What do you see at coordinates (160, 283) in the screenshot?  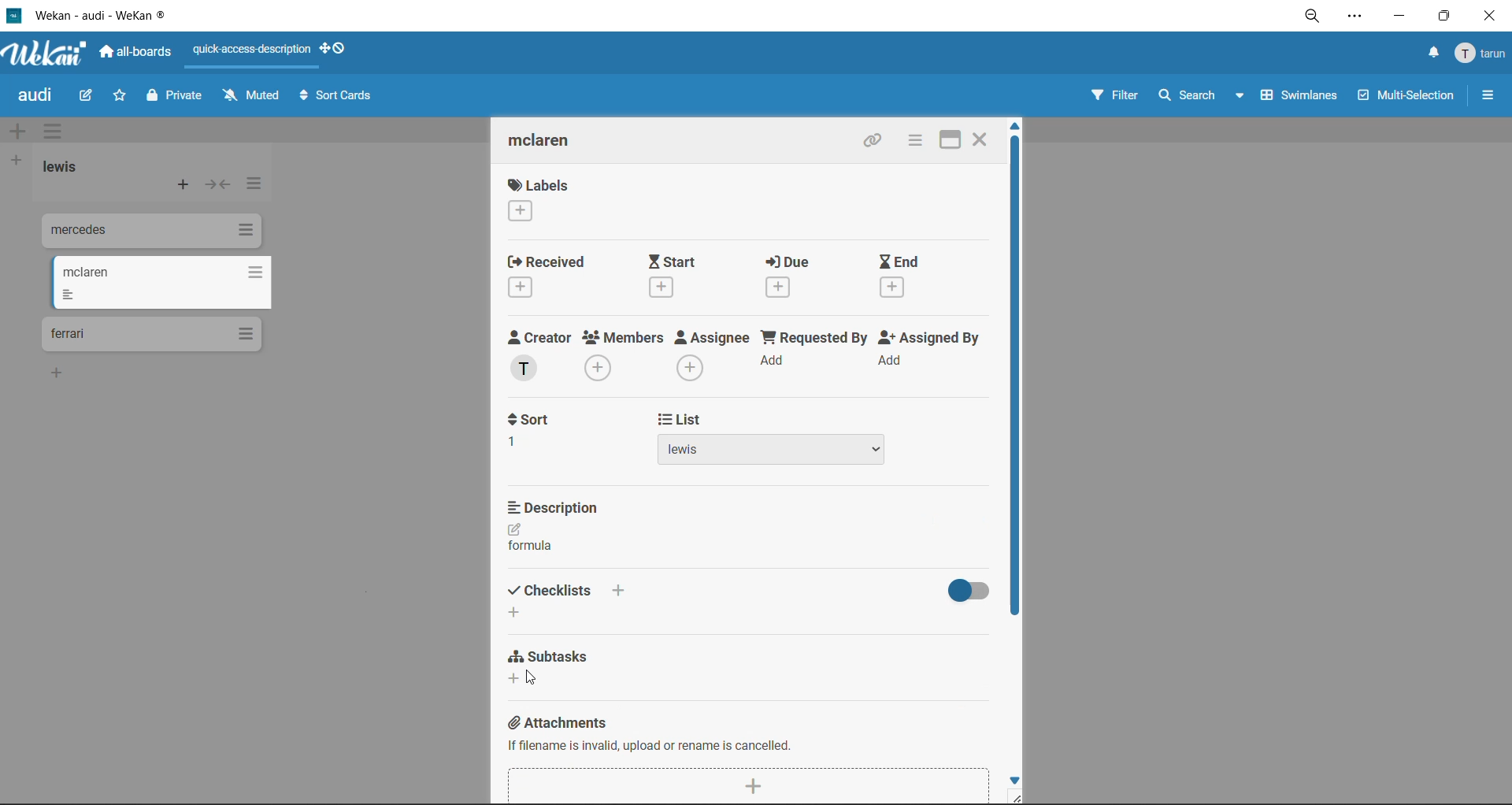 I see `cards` at bounding box center [160, 283].